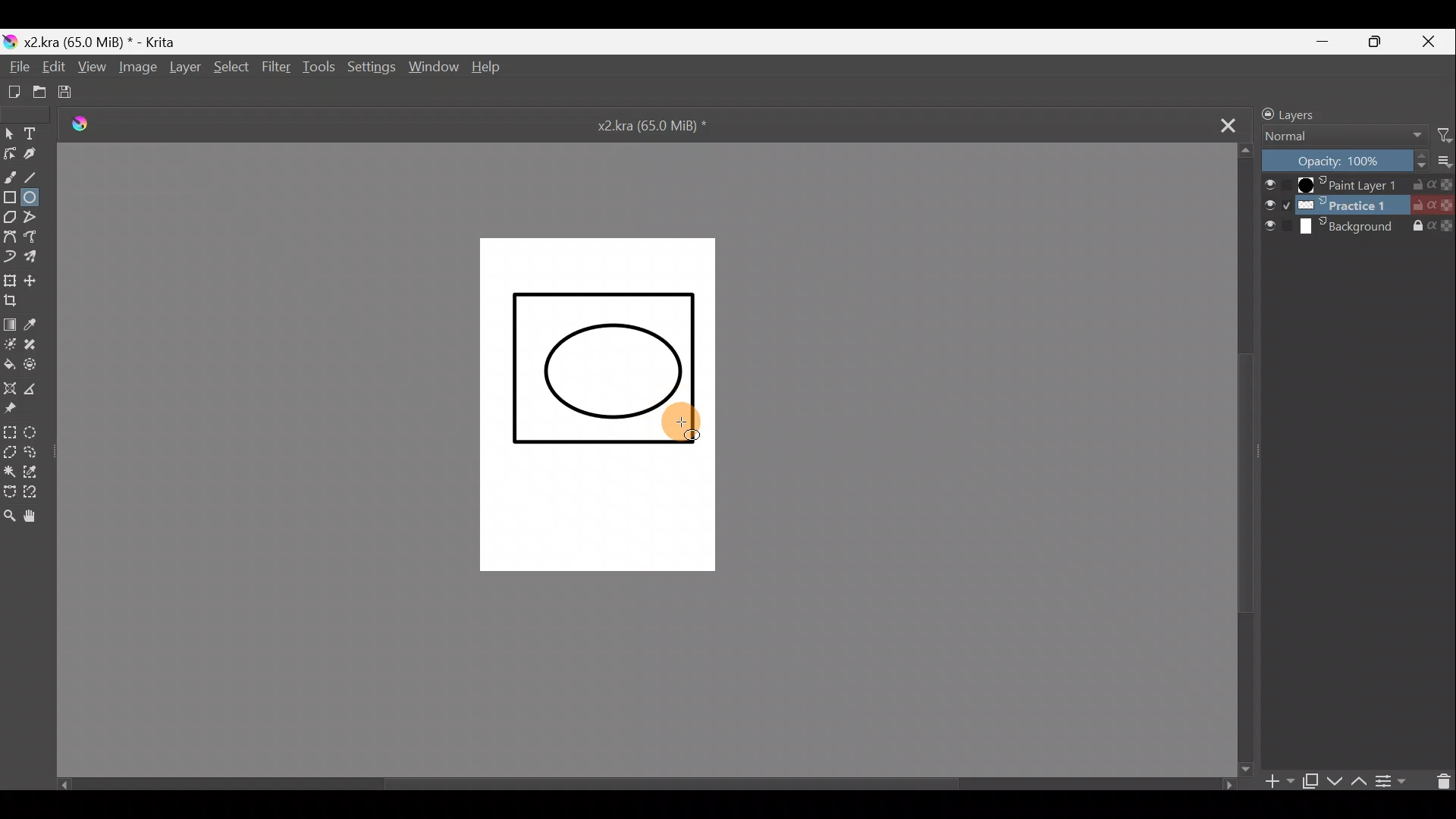 This screenshot has height=819, width=1456. I want to click on View/change layer properties, so click(1396, 783).